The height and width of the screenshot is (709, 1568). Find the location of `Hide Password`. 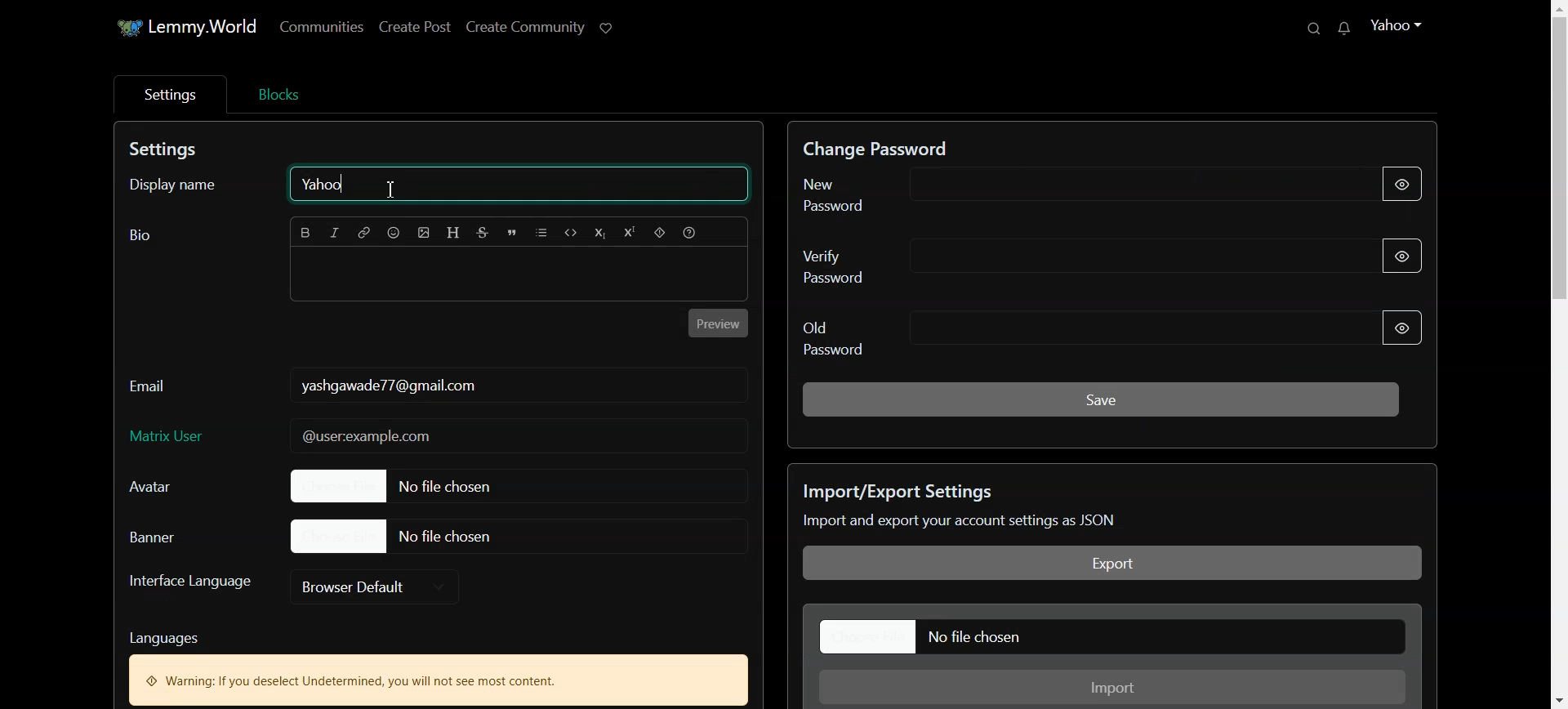

Hide Password is located at coordinates (1405, 185).